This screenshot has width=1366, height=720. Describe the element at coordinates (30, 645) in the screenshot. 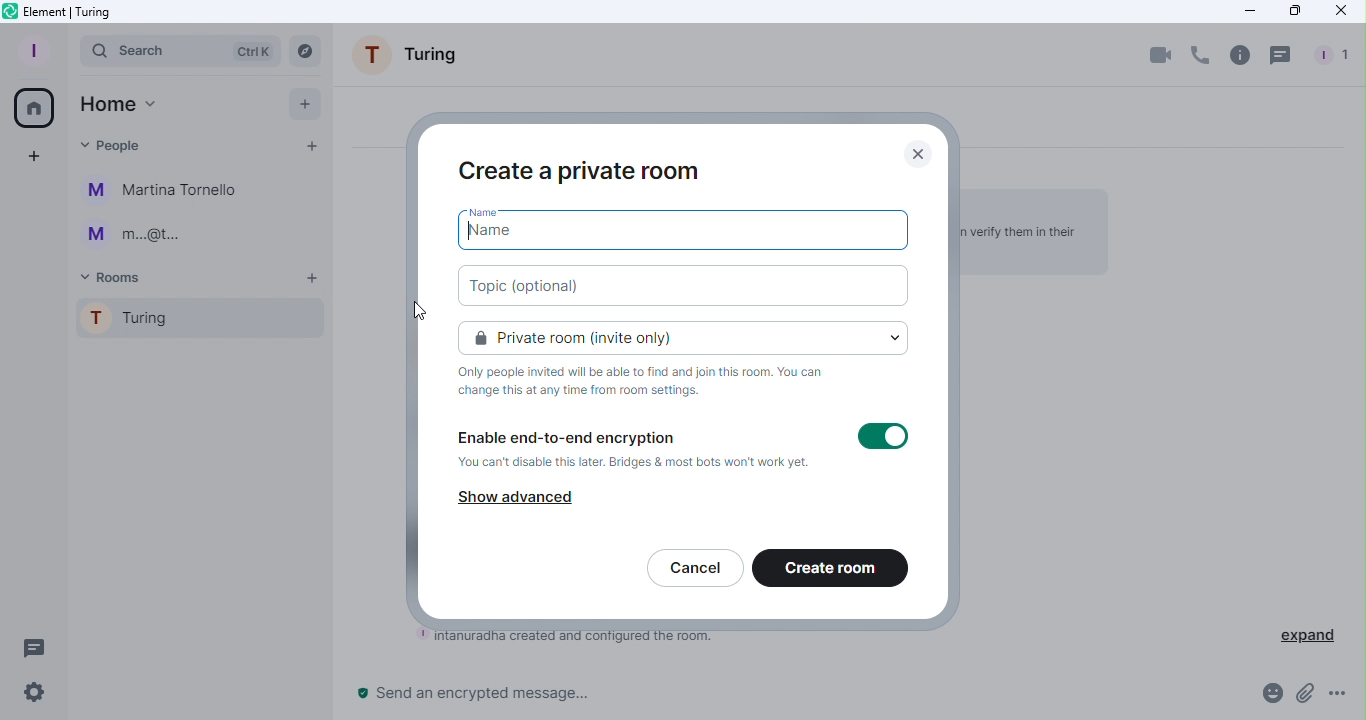

I see `Threads` at that location.